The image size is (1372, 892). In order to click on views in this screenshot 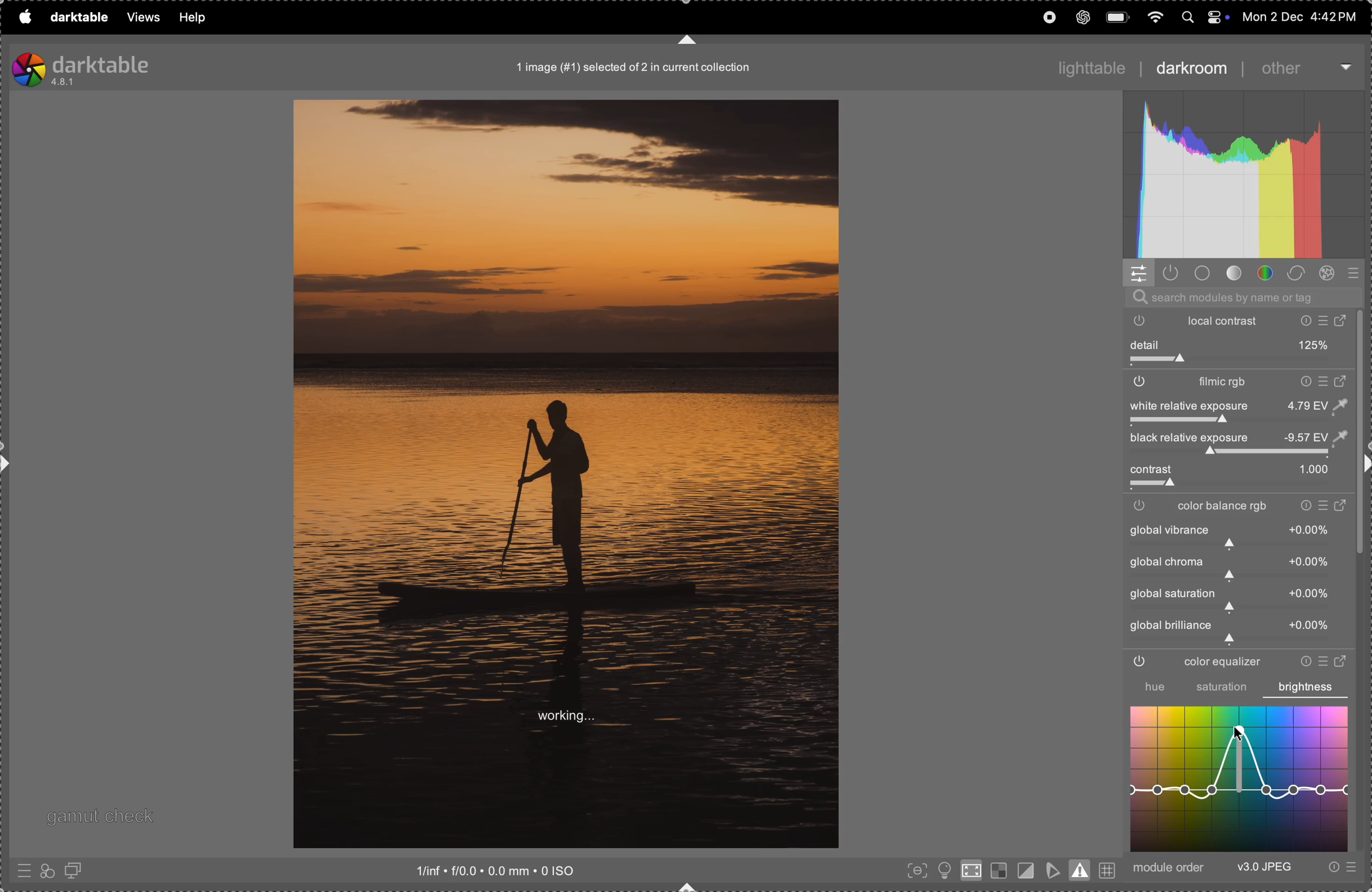, I will do `click(139, 18)`.